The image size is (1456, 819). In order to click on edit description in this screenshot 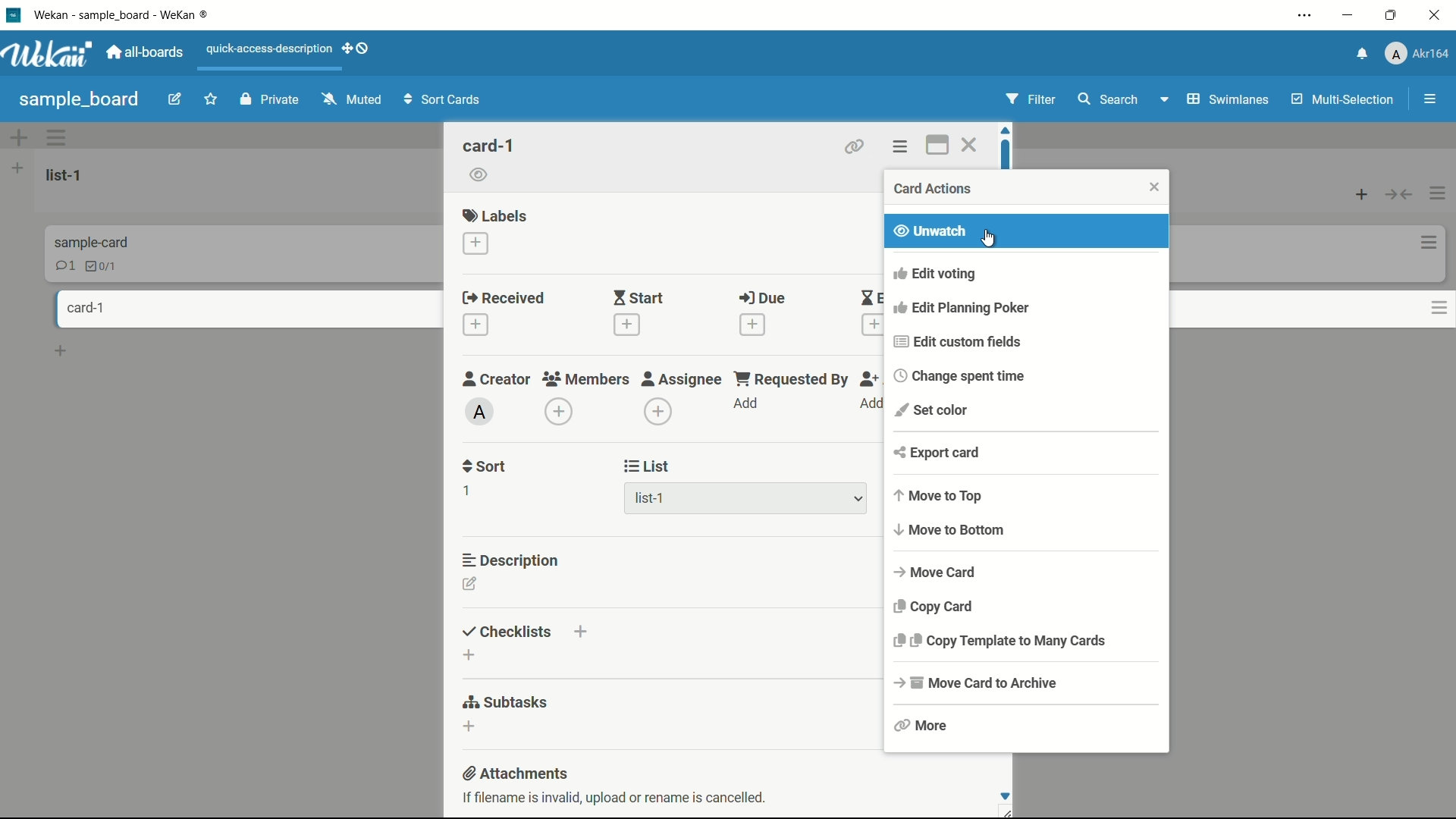, I will do `click(469, 584)`.